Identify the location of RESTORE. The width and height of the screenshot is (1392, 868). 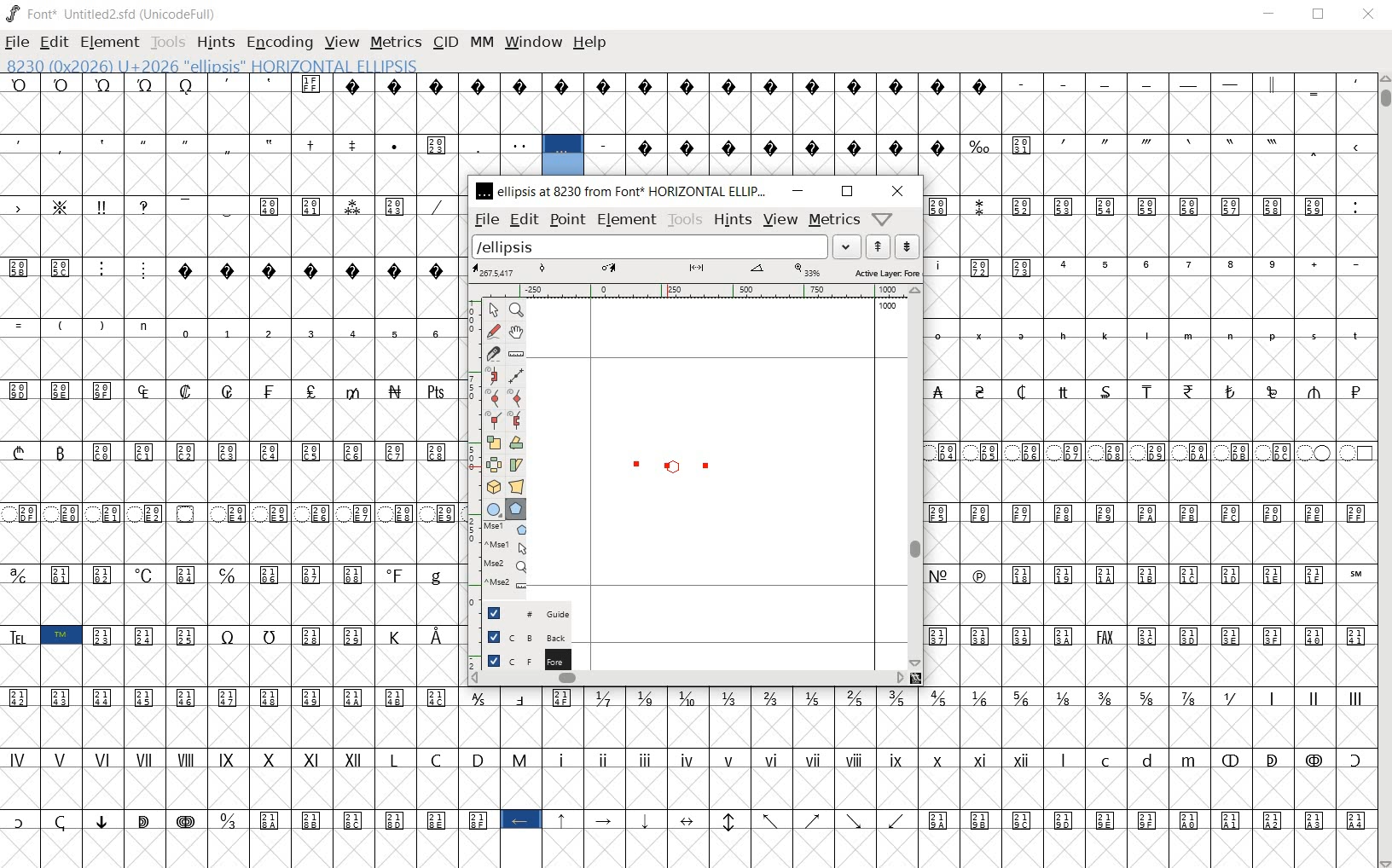
(1319, 14).